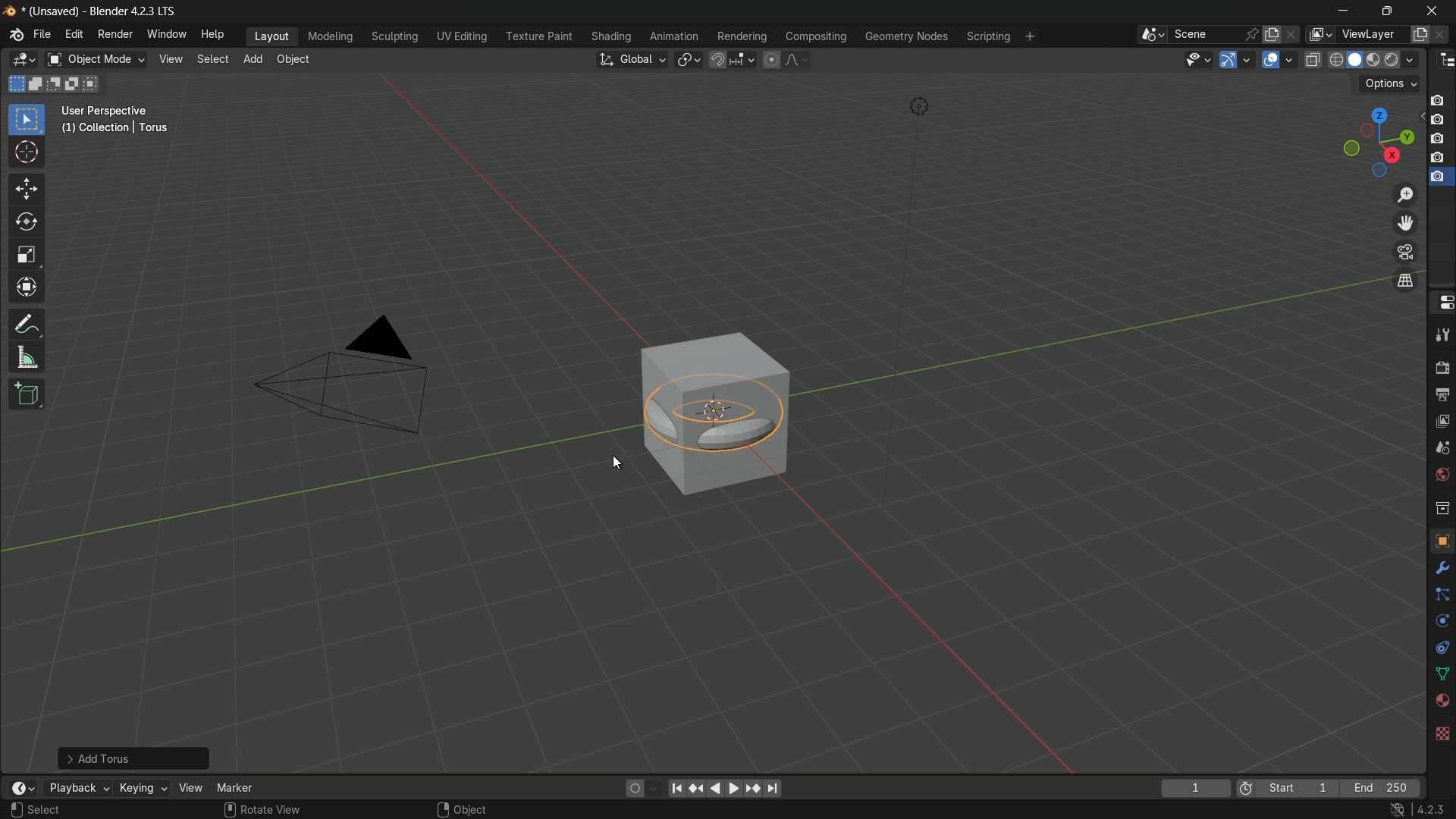 The image size is (1456, 819). I want to click on mouse scroll, so click(229, 809).